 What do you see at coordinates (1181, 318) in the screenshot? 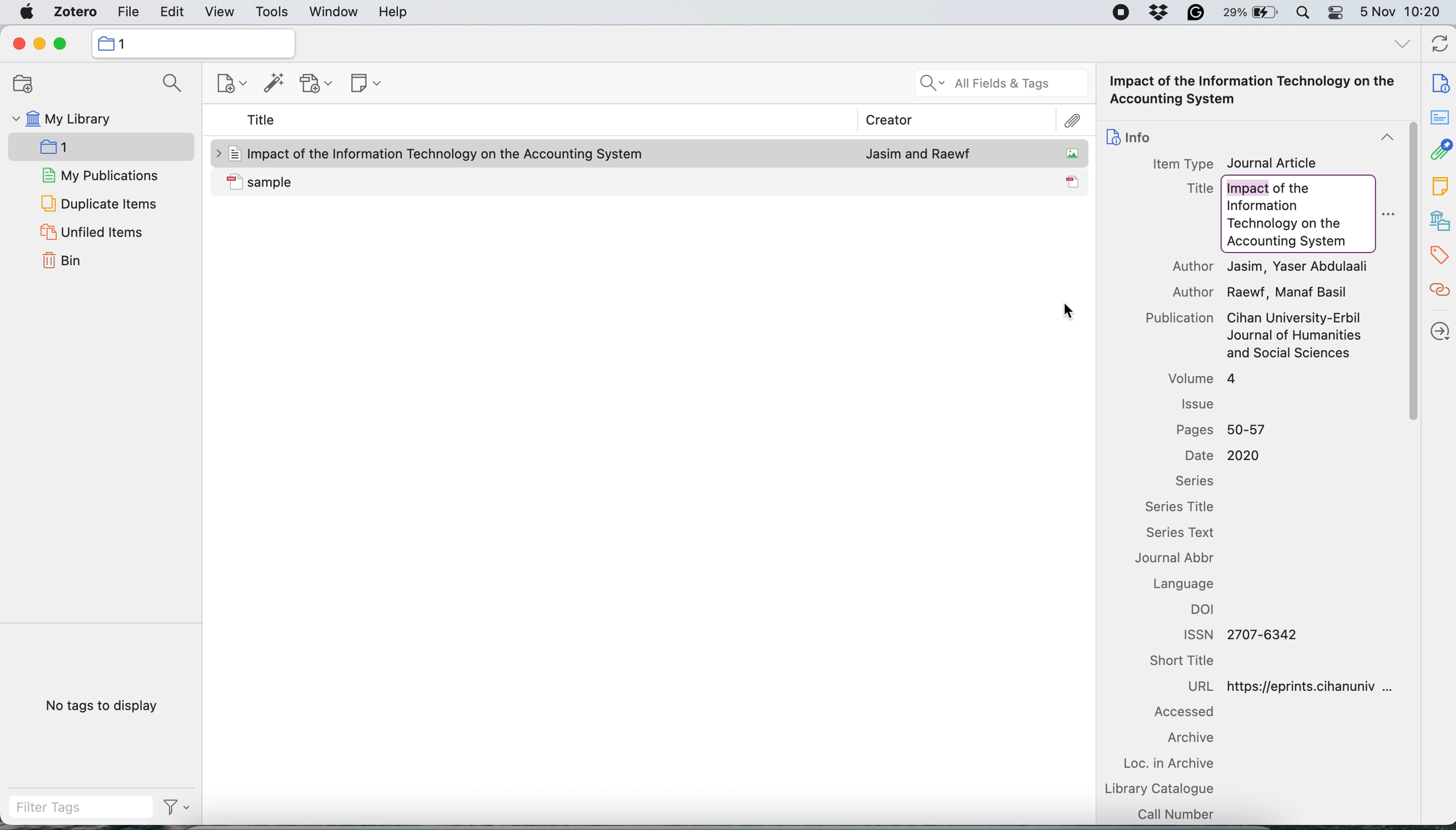
I see `Publication` at bounding box center [1181, 318].